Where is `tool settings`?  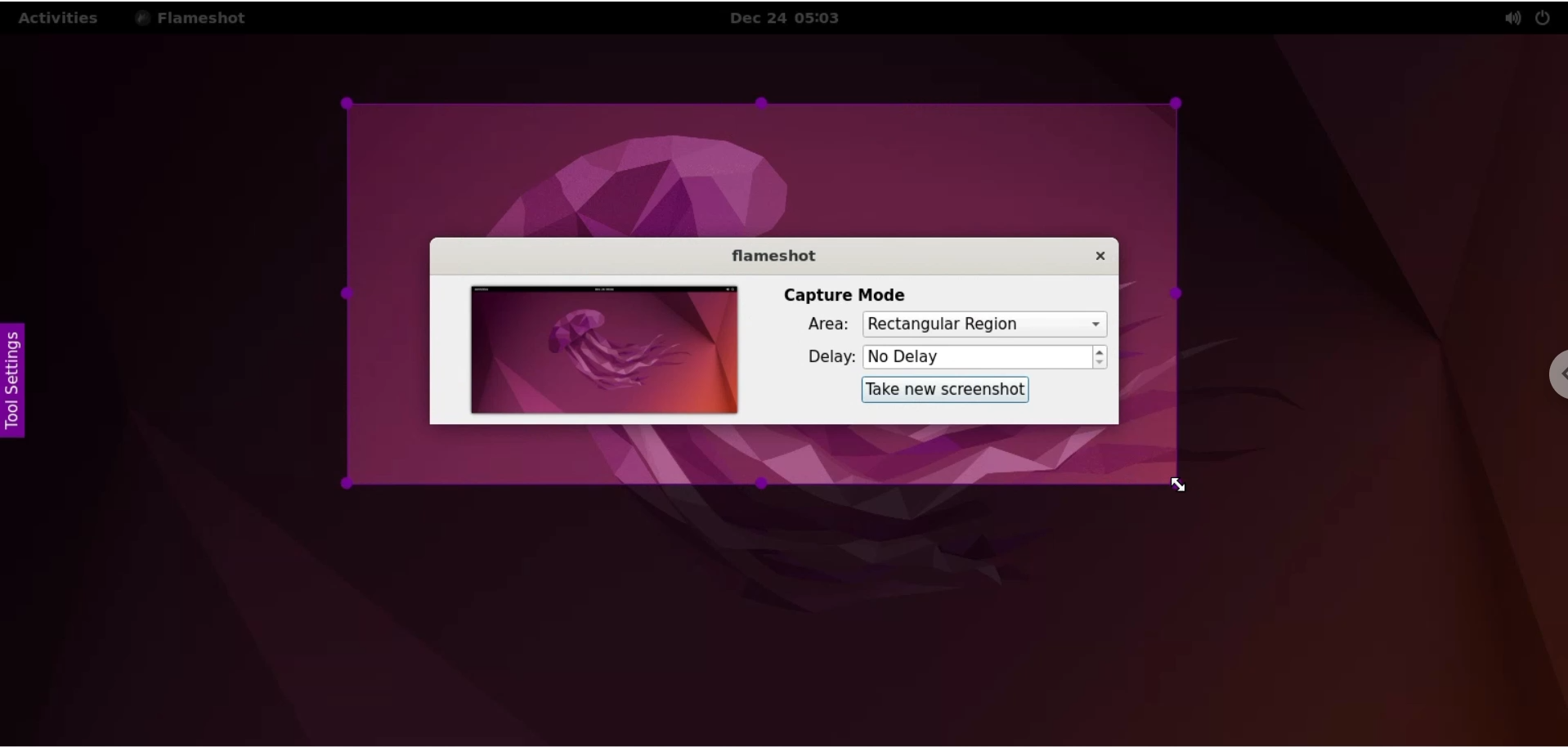
tool settings is located at coordinates (13, 385).